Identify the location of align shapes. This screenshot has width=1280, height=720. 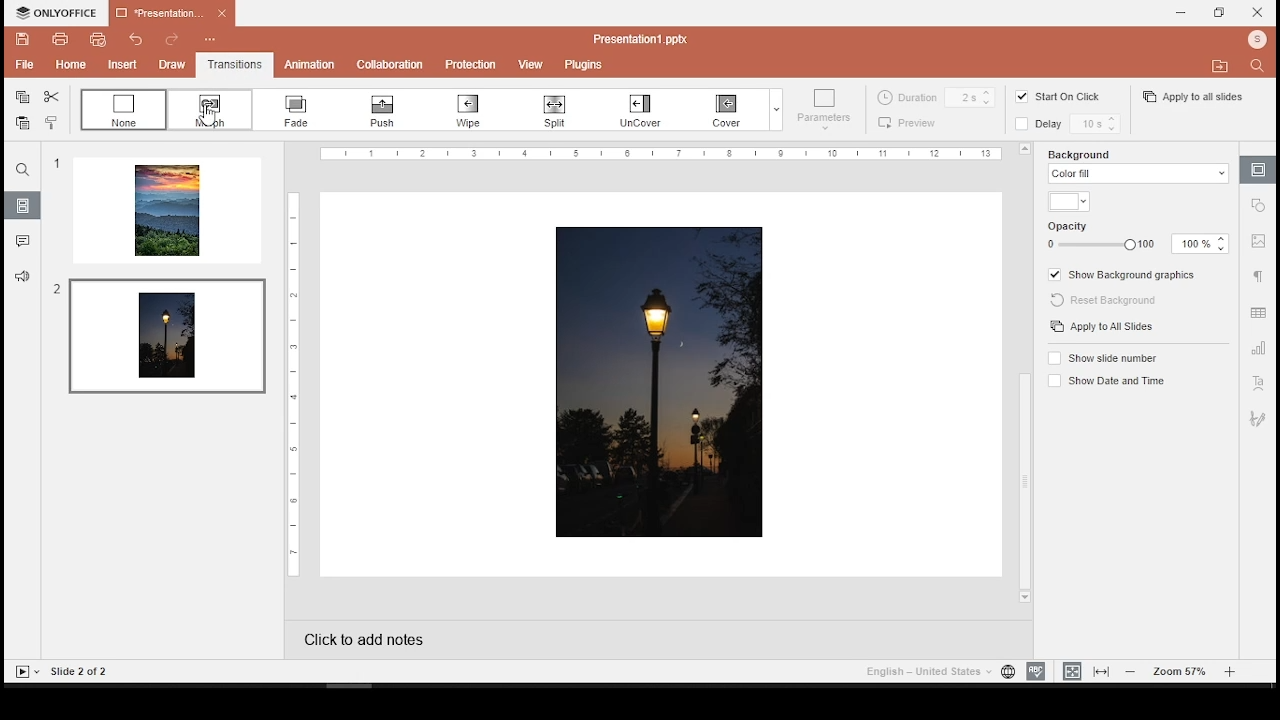
(908, 122).